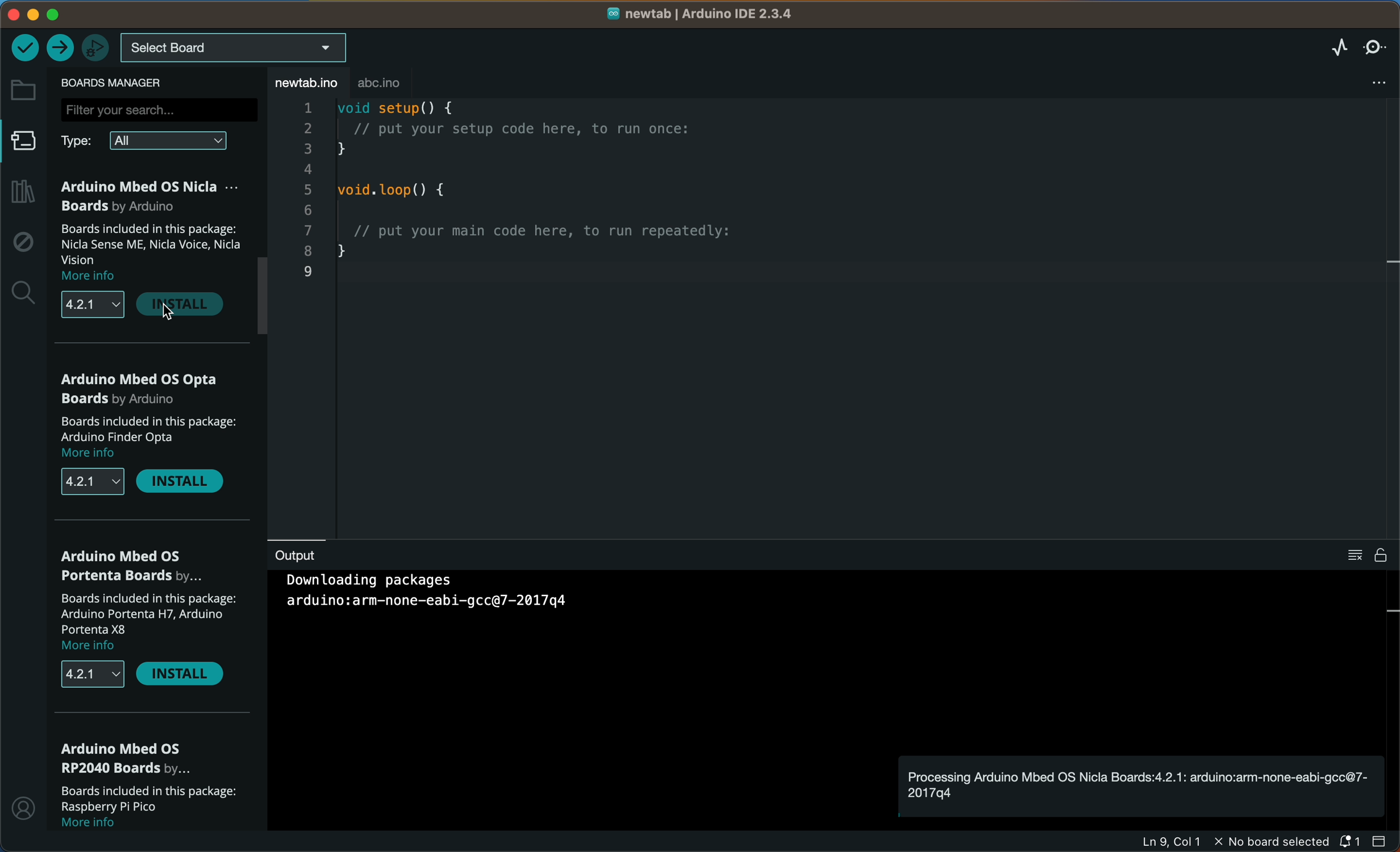  I want to click on install, so click(180, 304).